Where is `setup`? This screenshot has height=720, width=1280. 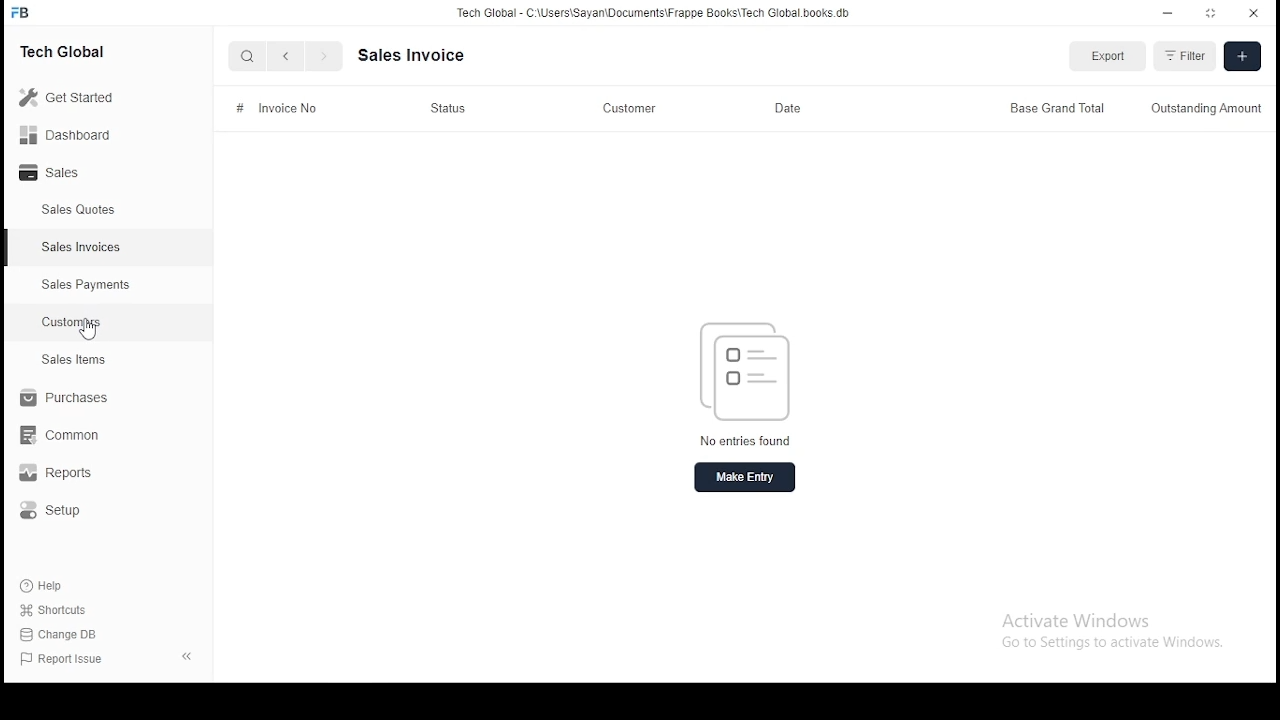 setup is located at coordinates (58, 513).